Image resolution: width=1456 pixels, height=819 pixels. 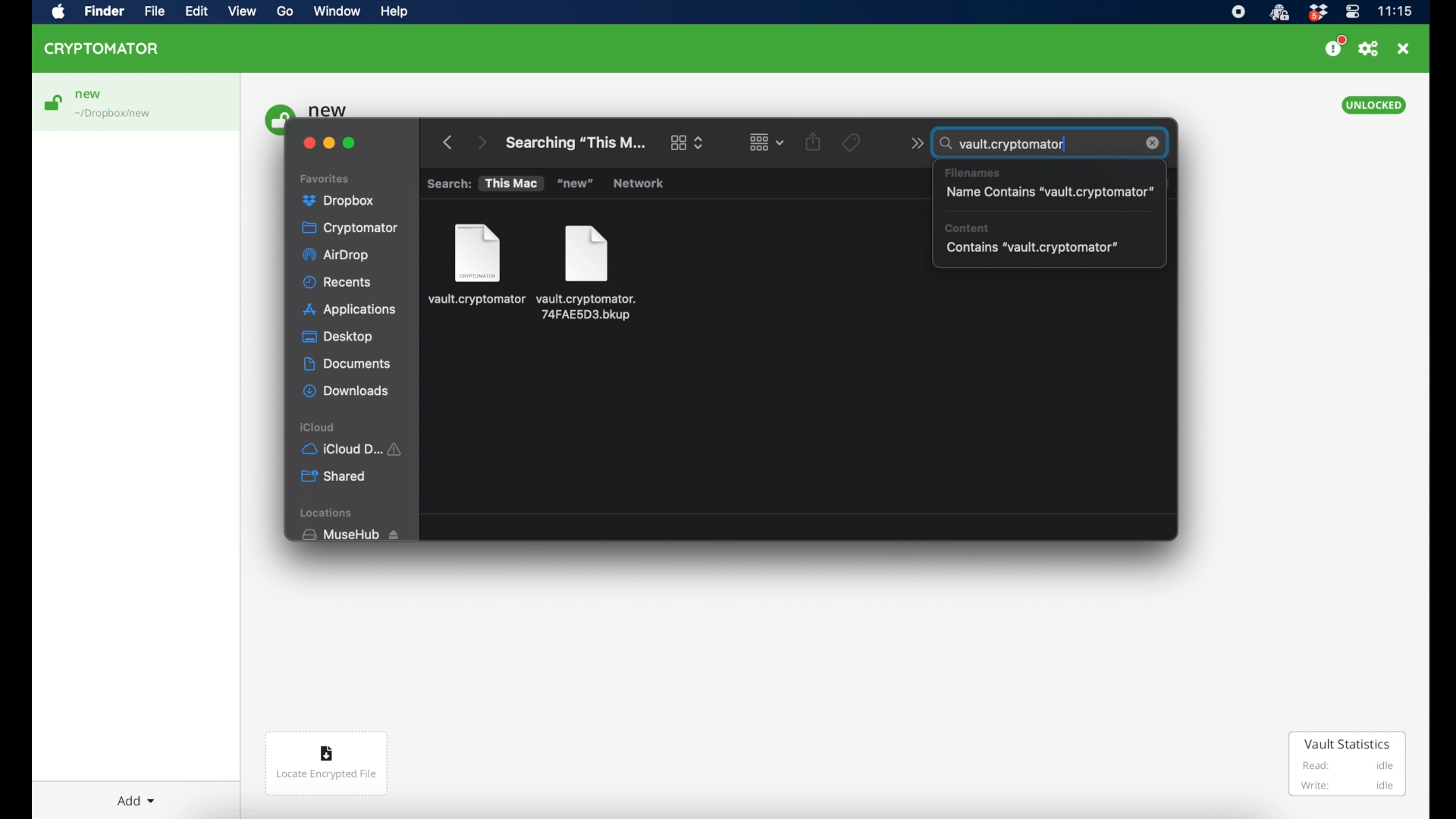 What do you see at coordinates (136, 801) in the screenshot?
I see `add dropdown ` at bounding box center [136, 801].